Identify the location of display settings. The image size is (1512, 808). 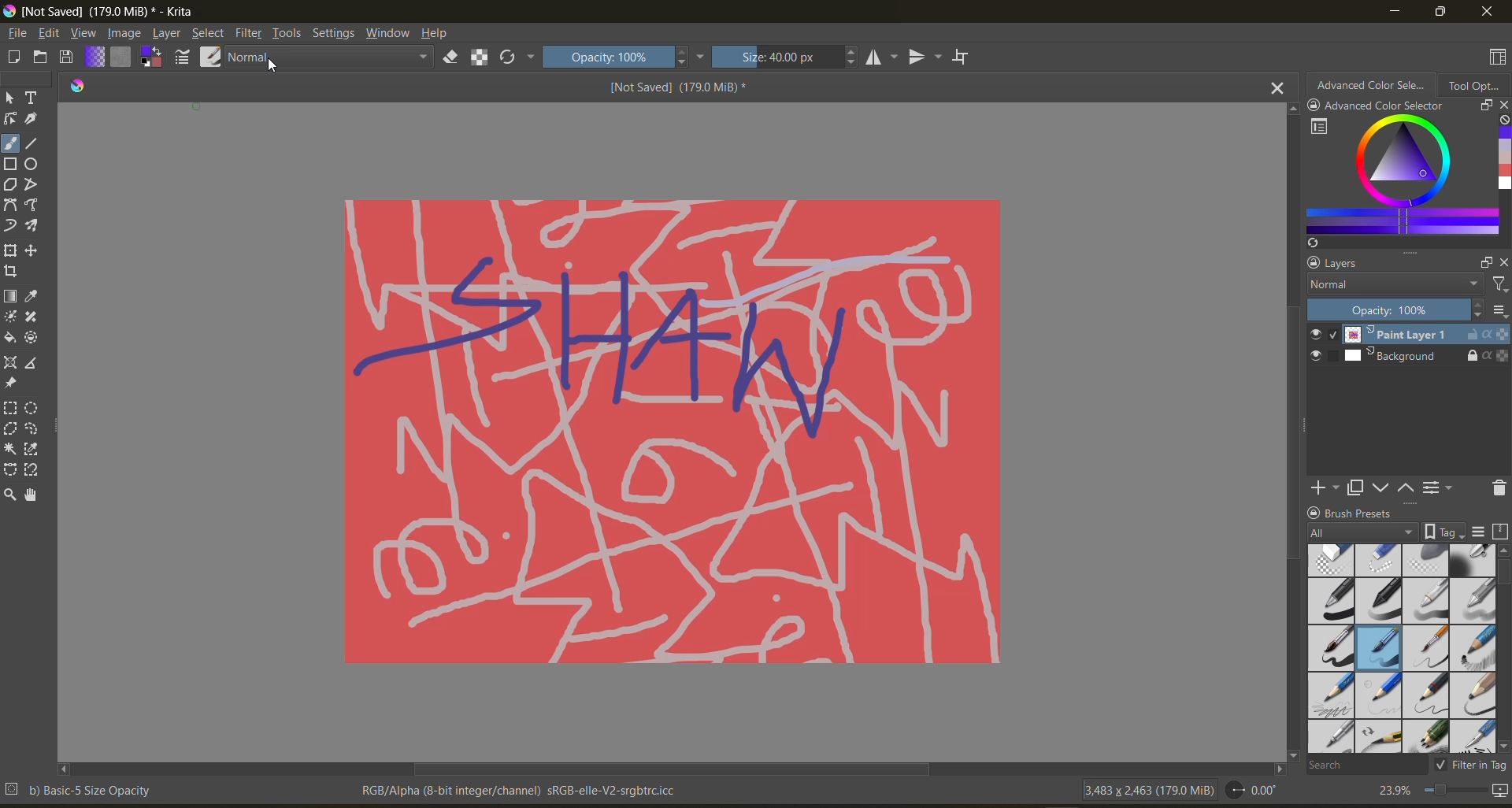
(1481, 534).